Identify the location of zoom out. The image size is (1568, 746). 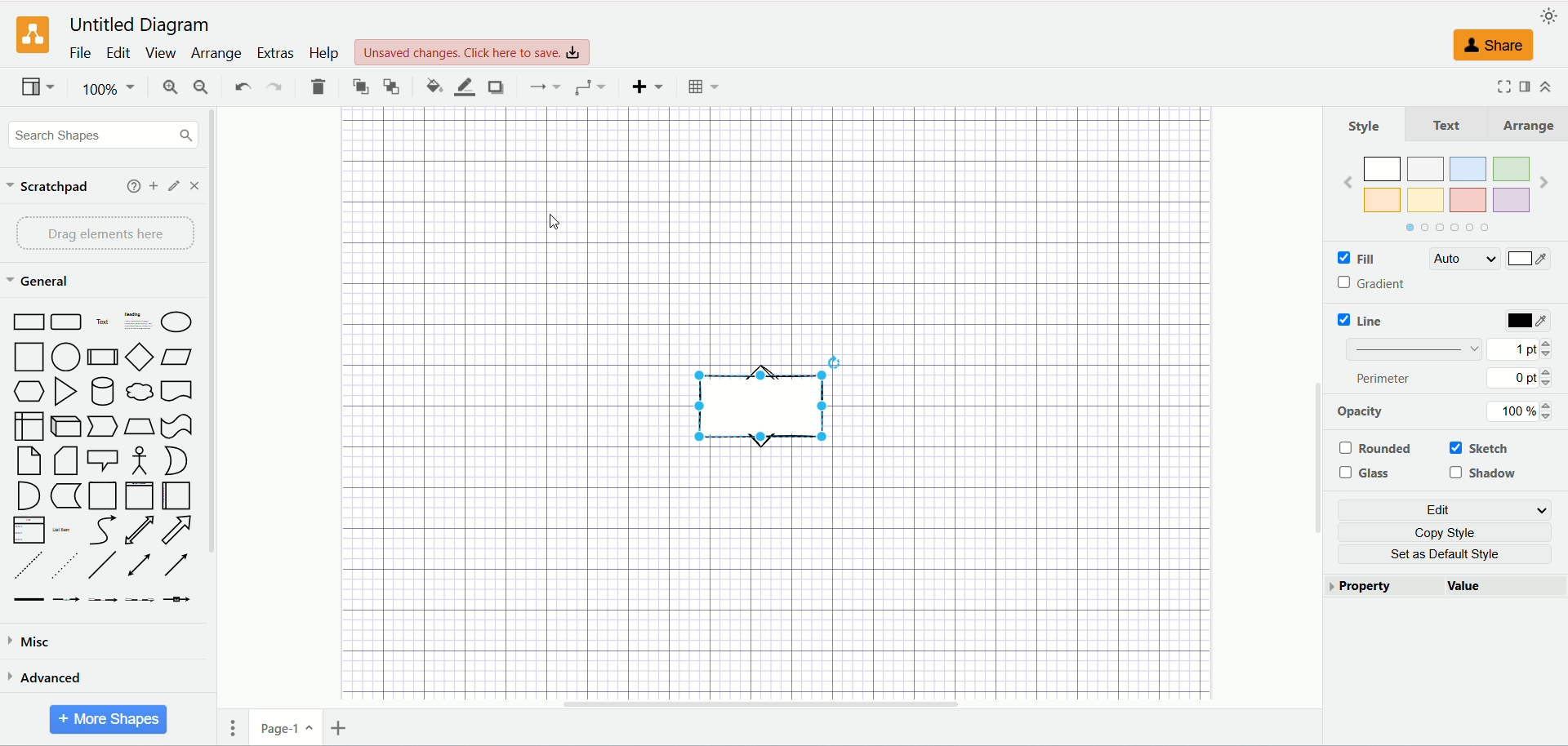
(198, 88).